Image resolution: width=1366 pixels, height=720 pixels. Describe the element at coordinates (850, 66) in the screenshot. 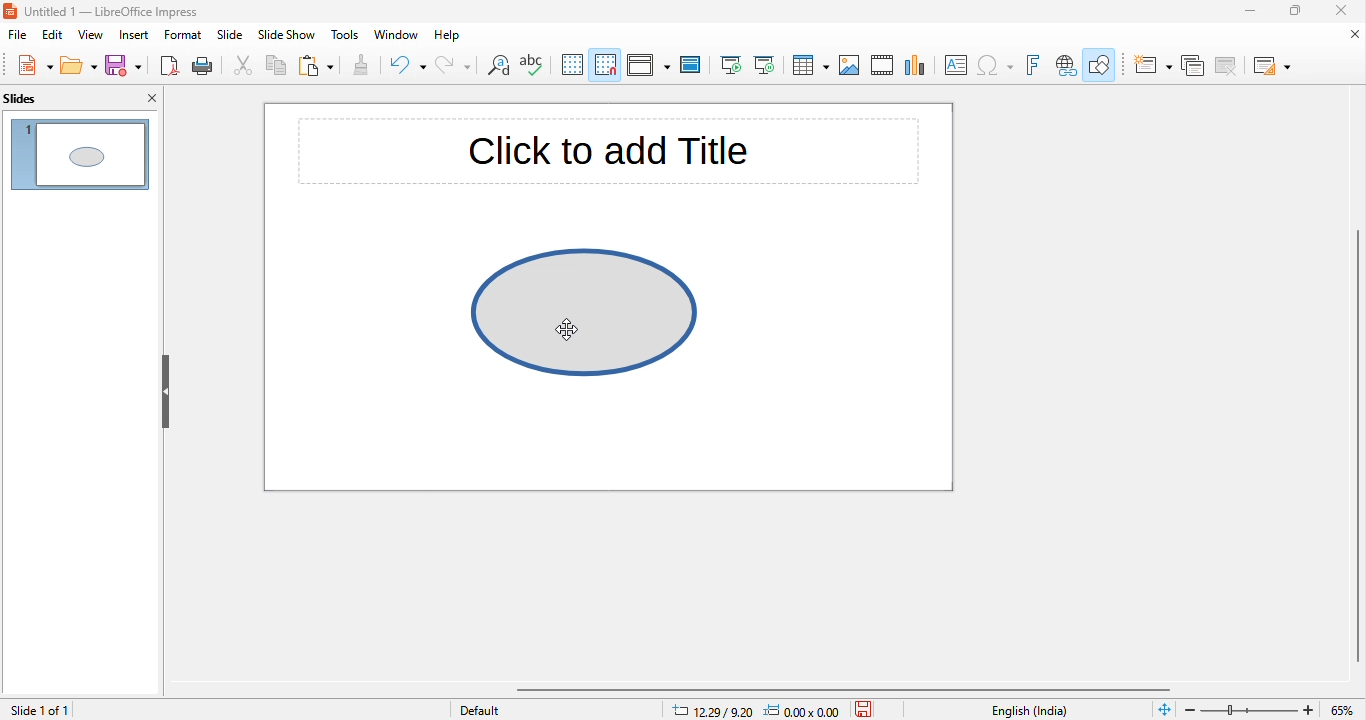

I see `image` at that location.